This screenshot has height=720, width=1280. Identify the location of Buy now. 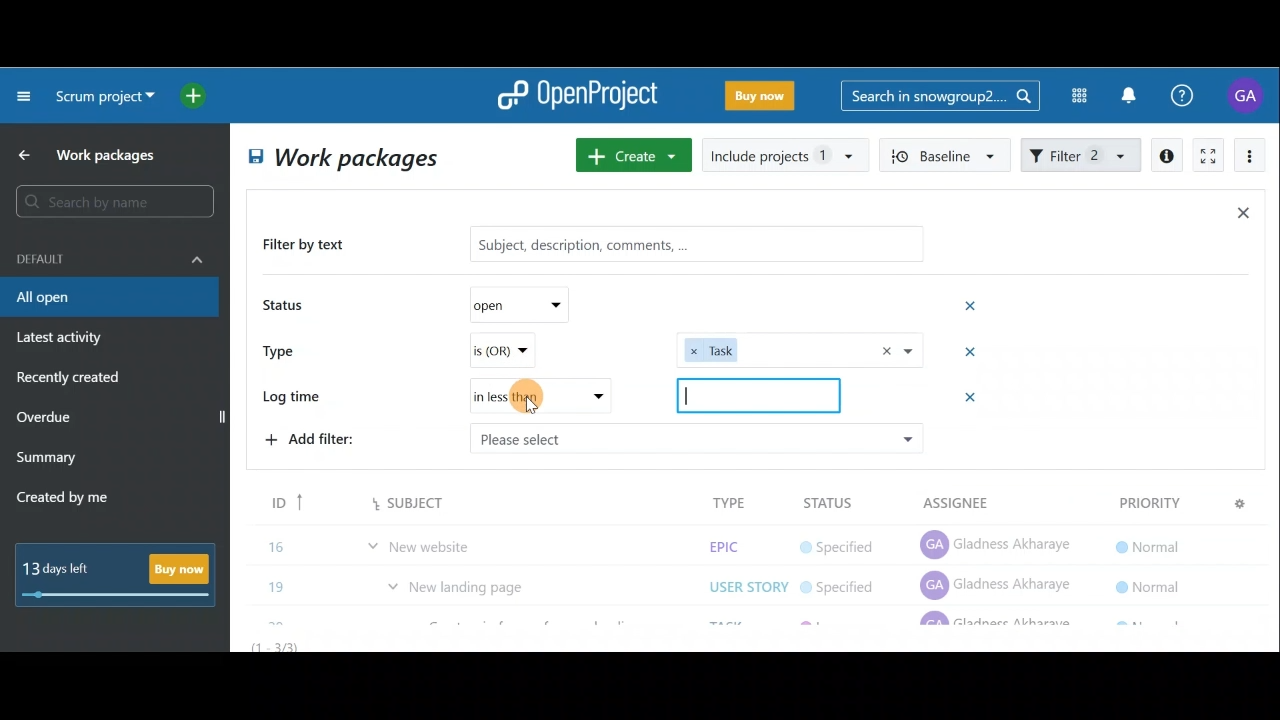
(122, 574).